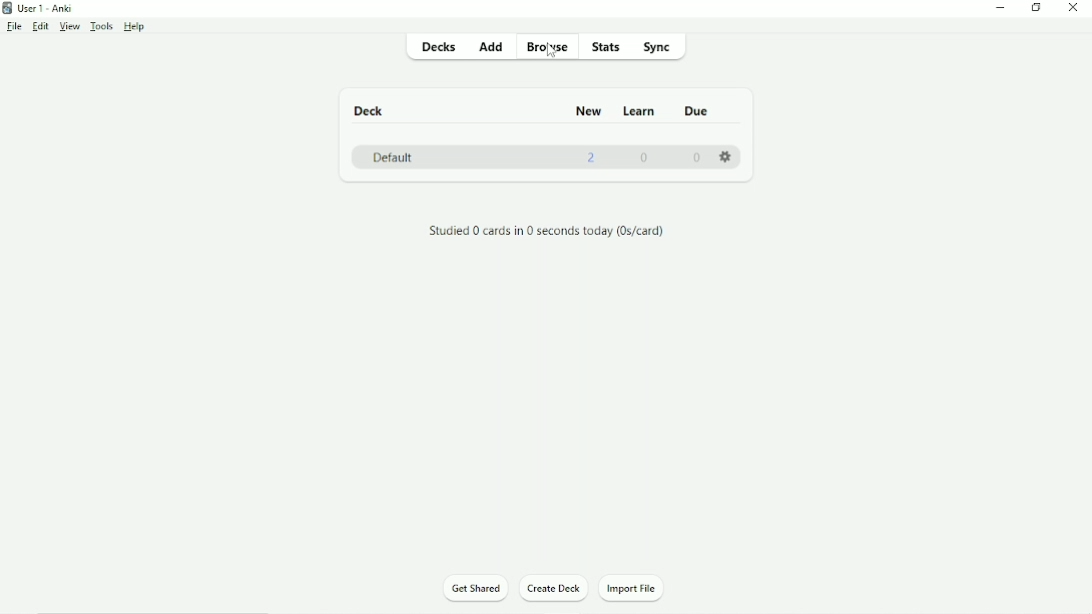  I want to click on Decks, so click(437, 49).